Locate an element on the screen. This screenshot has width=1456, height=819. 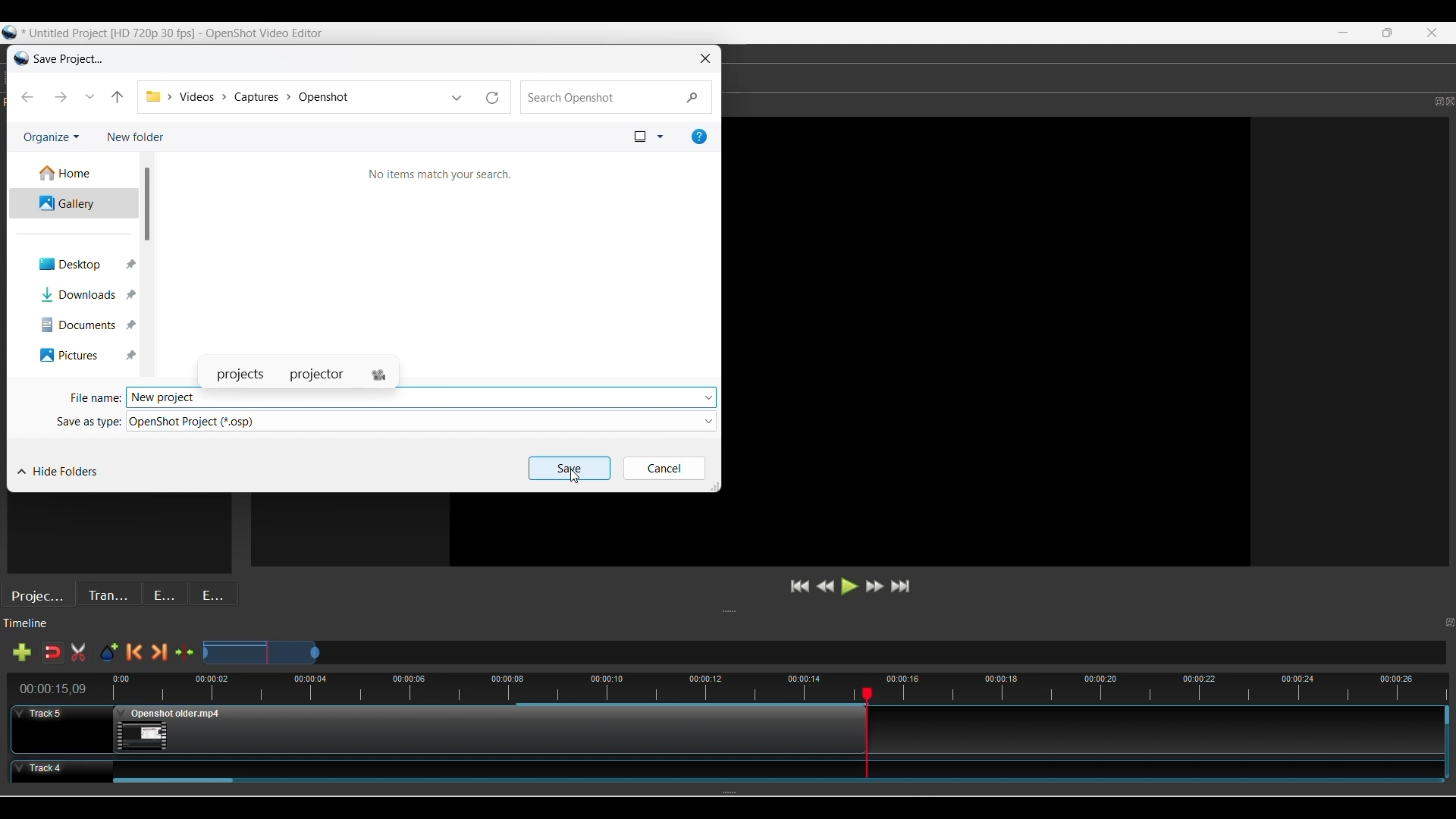
Search Window is located at coordinates (433, 260).